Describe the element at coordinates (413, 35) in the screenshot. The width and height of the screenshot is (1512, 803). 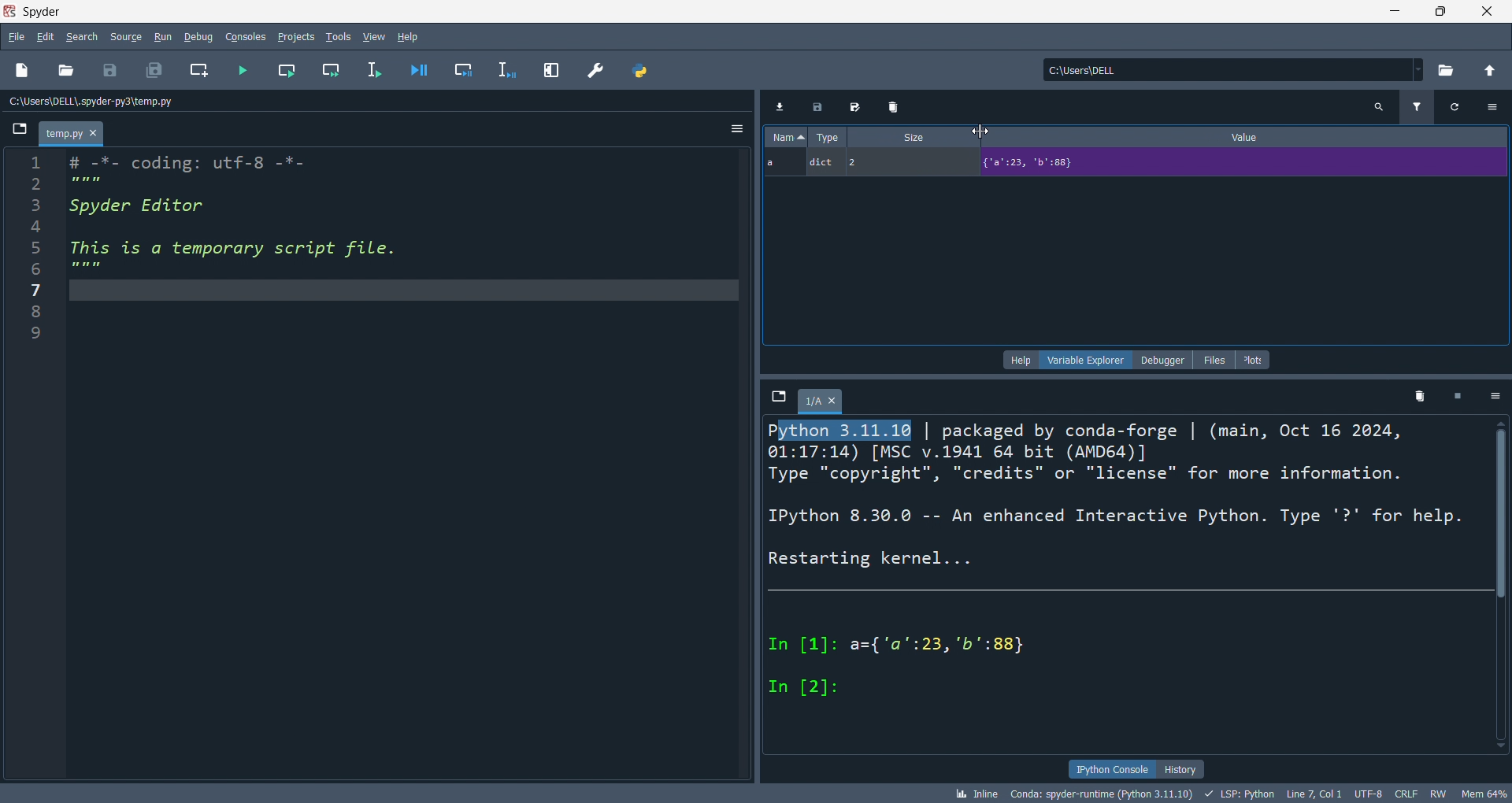
I see `help` at that location.